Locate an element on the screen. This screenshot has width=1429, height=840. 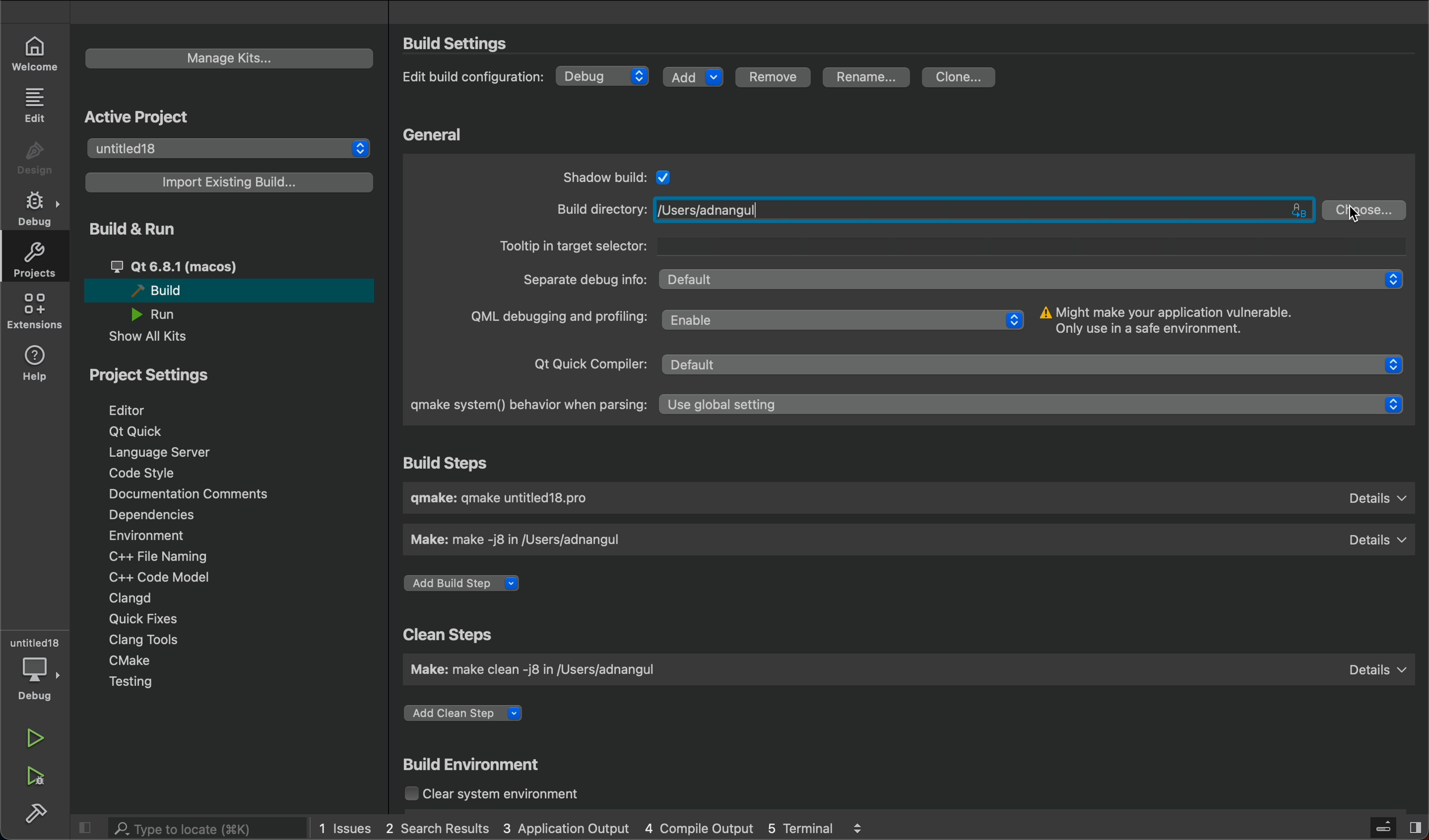
C++ code model is located at coordinates (178, 576).